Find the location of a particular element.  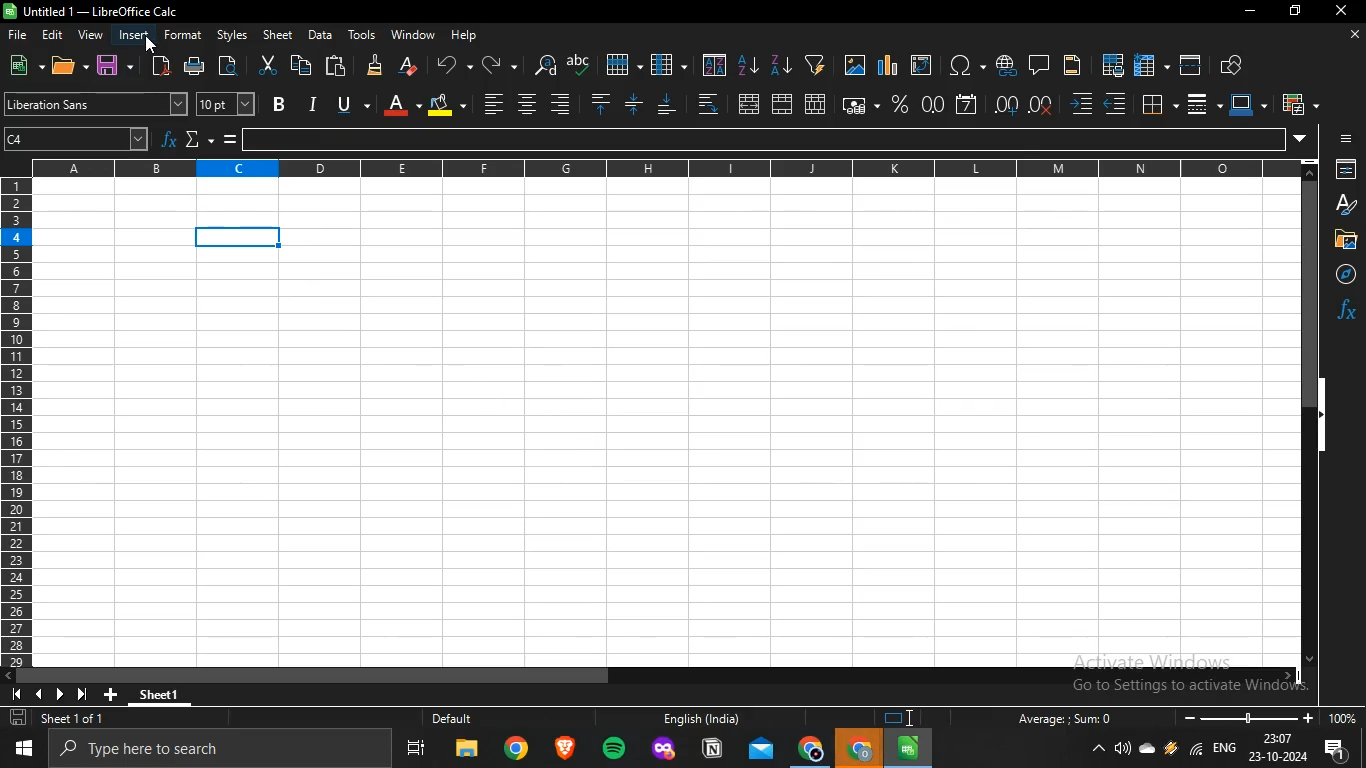

tools is located at coordinates (362, 35).